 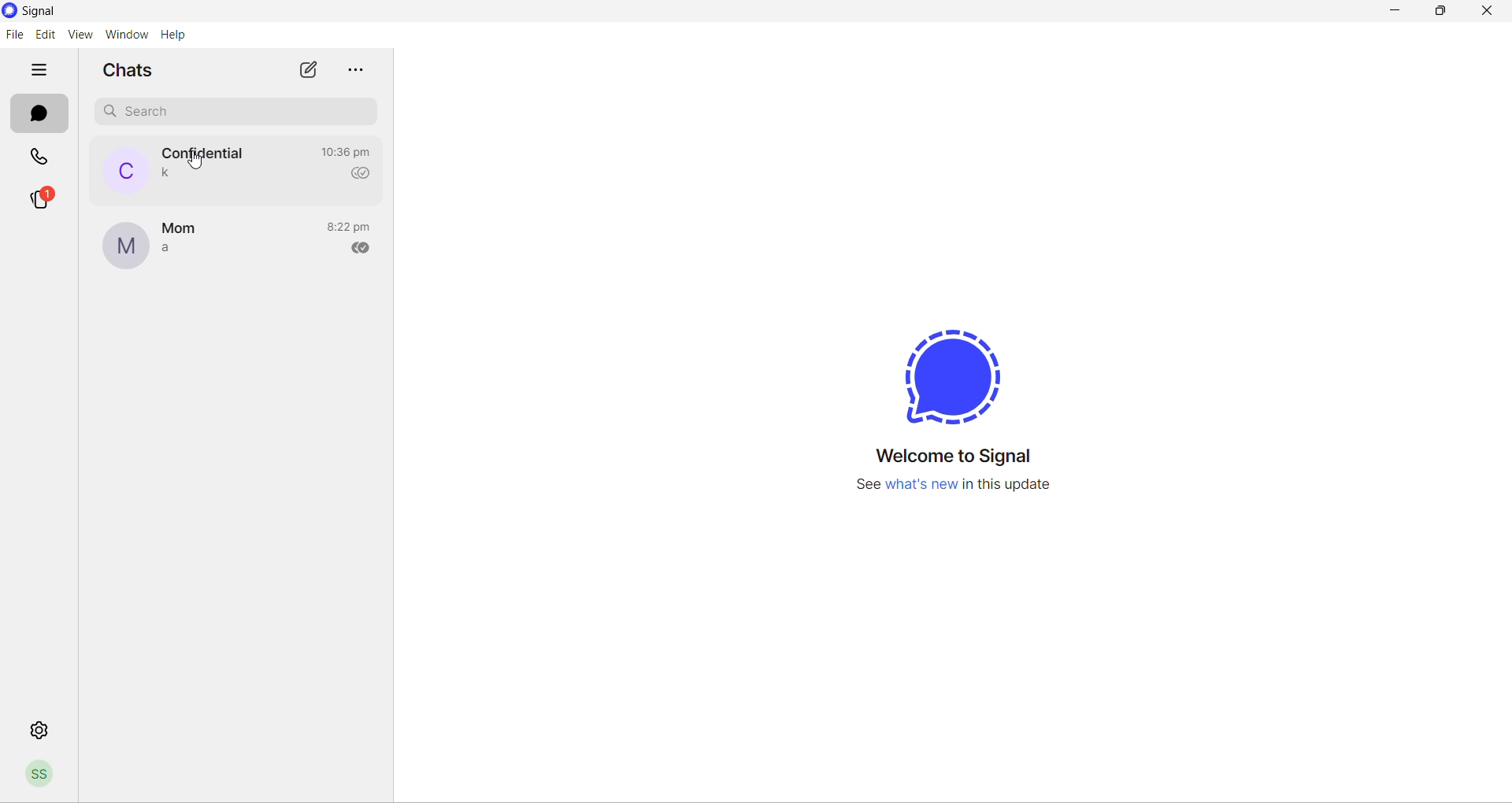 I want to click on last message, so click(x=171, y=174).